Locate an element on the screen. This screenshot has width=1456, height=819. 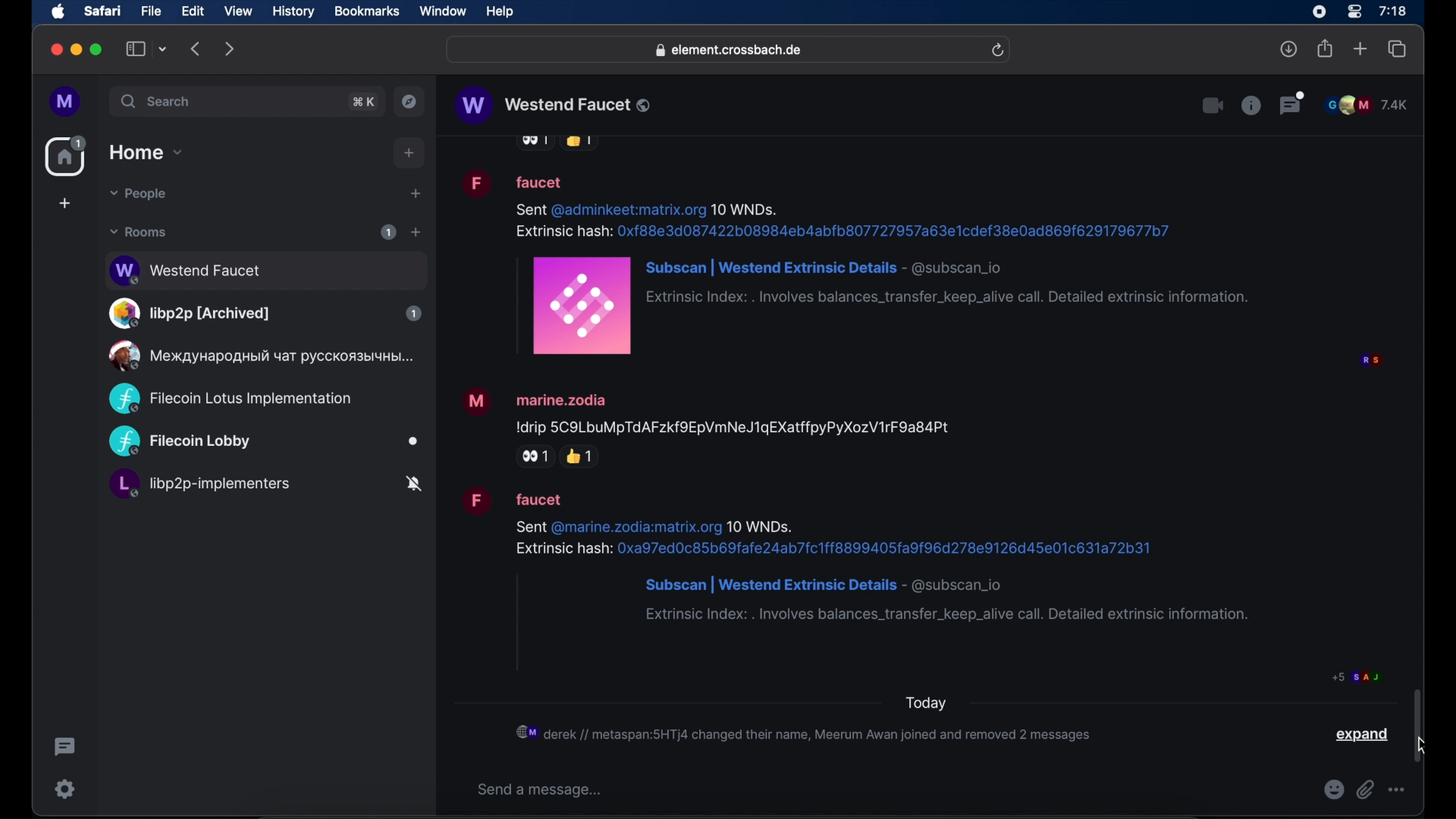
apple icon is located at coordinates (58, 12).